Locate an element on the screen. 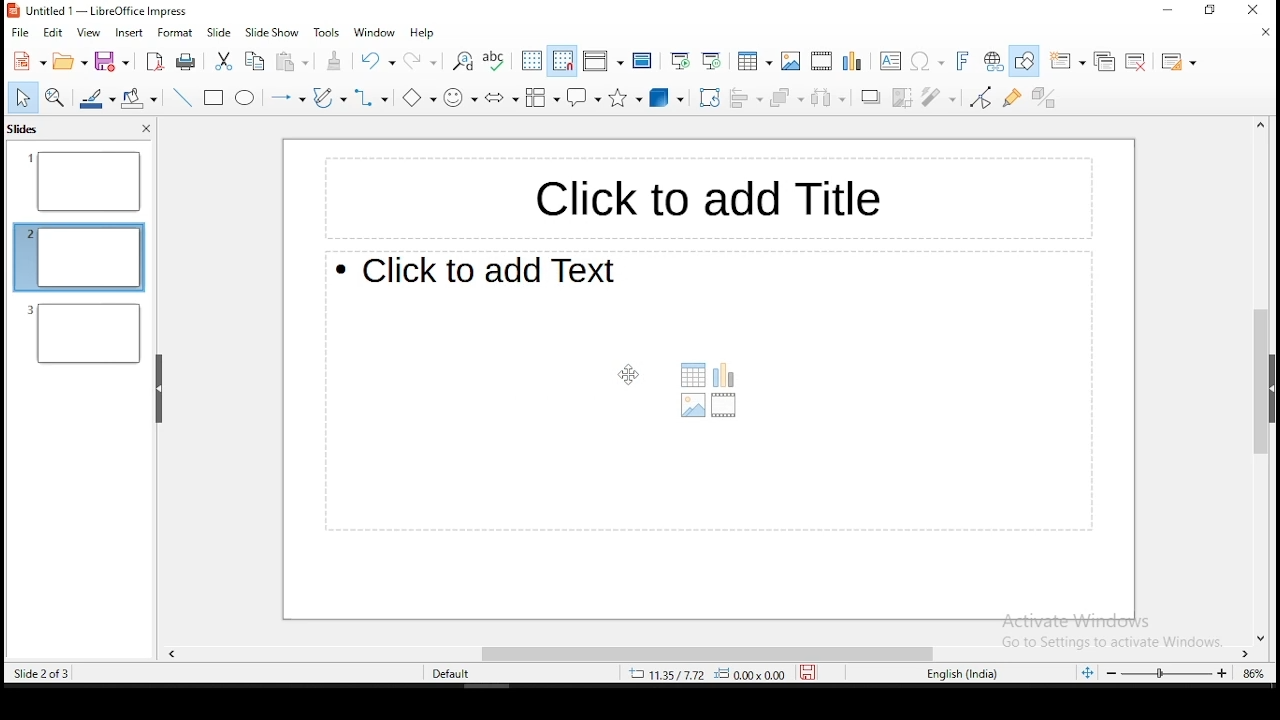 The height and width of the screenshot is (720, 1280). find and replace is located at coordinates (462, 63).